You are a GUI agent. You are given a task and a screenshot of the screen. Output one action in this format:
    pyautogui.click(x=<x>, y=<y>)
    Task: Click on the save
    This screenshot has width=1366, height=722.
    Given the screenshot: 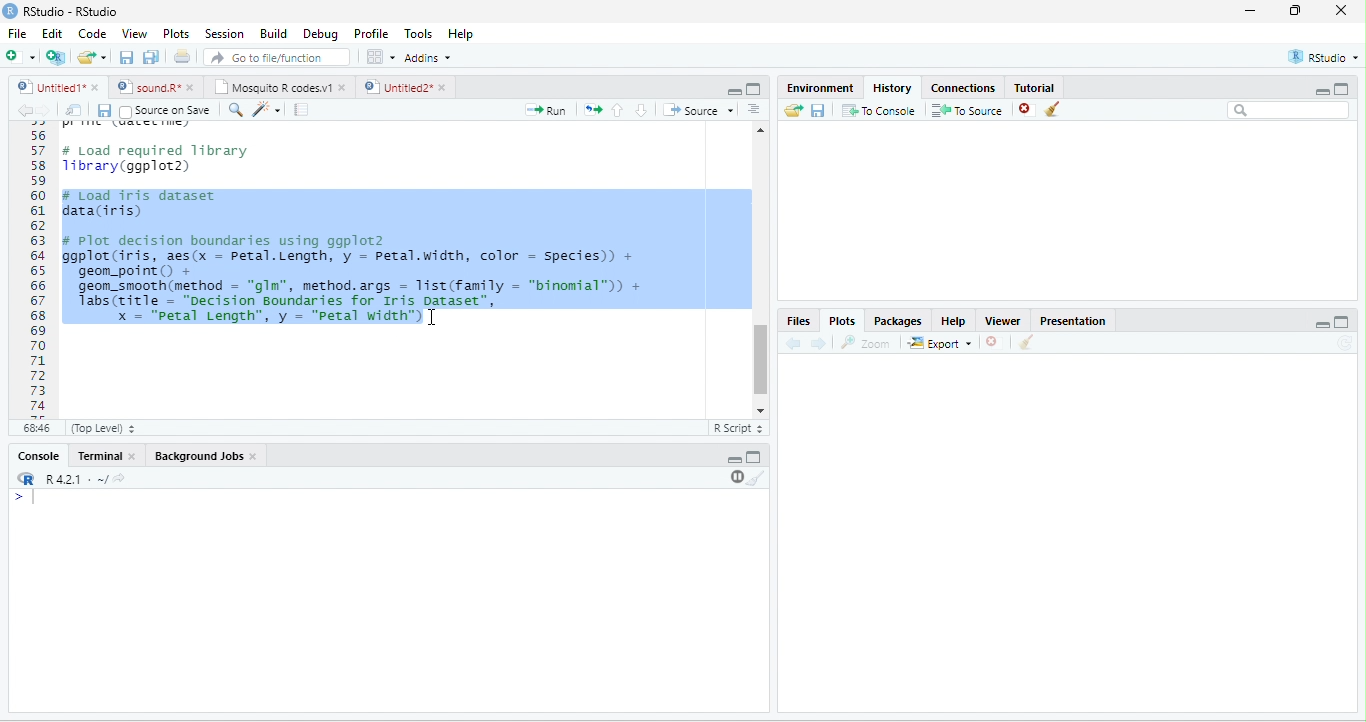 What is the action you would take?
    pyautogui.click(x=126, y=57)
    